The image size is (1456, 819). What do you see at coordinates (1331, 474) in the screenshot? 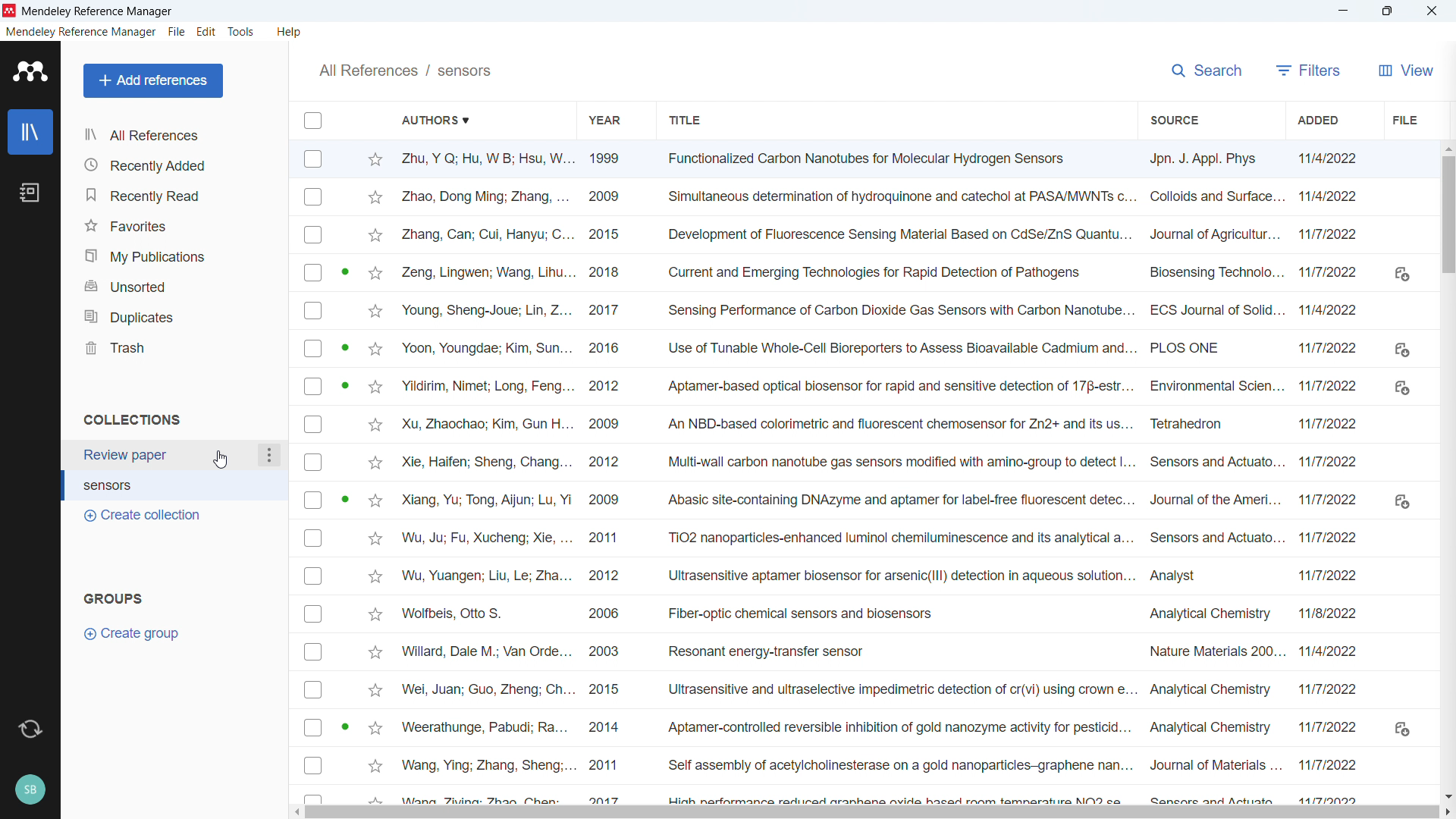
I see `Date of addition of individual entries ` at bounding box center [1331, 474].